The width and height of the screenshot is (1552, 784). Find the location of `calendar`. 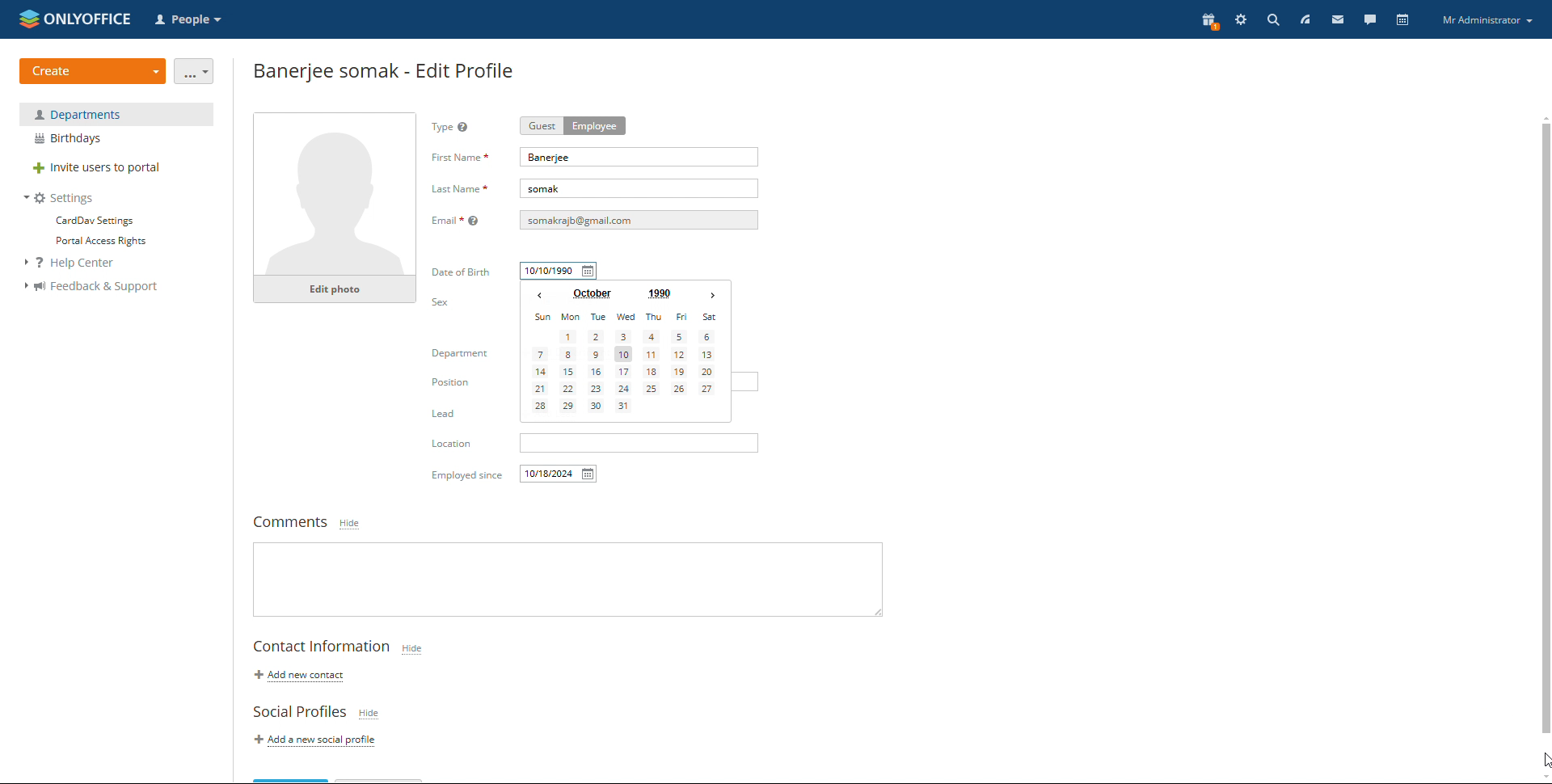

calendar is located at coordinates (627, 364).